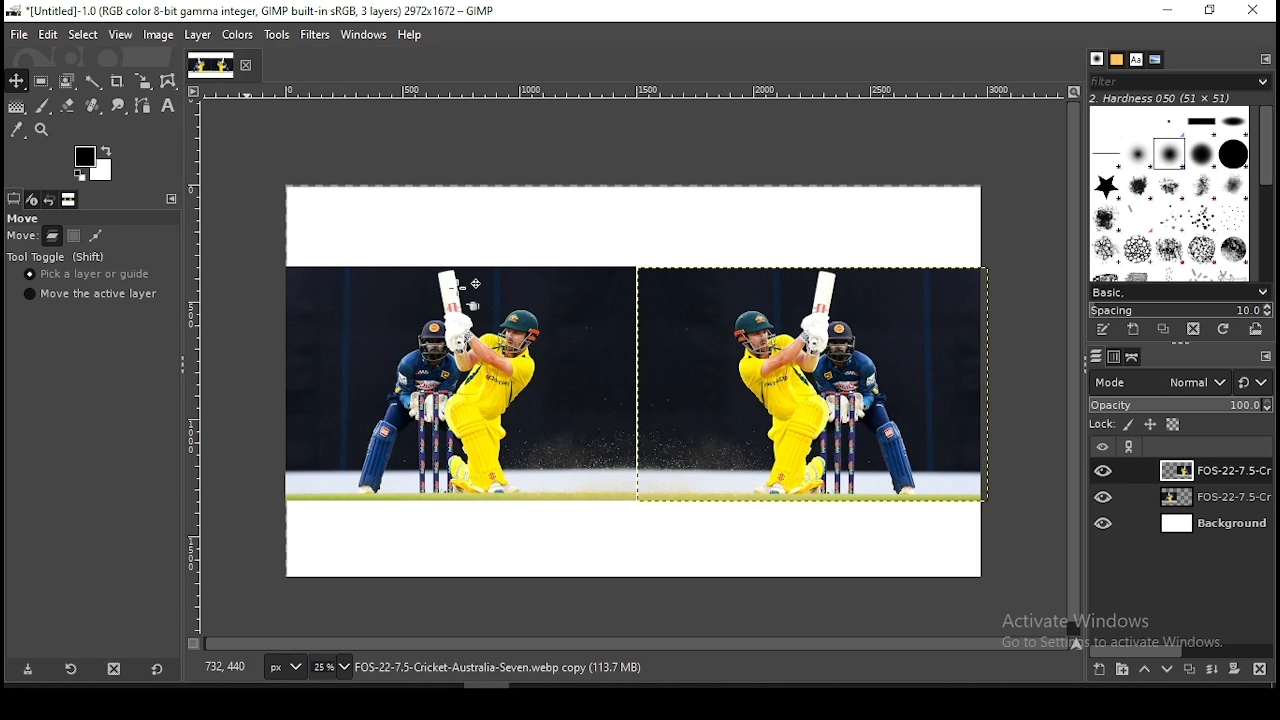  What do you see at coordinates (1162, 97) in the screenshot?
I see `text` at bounding box center [1162, 97].